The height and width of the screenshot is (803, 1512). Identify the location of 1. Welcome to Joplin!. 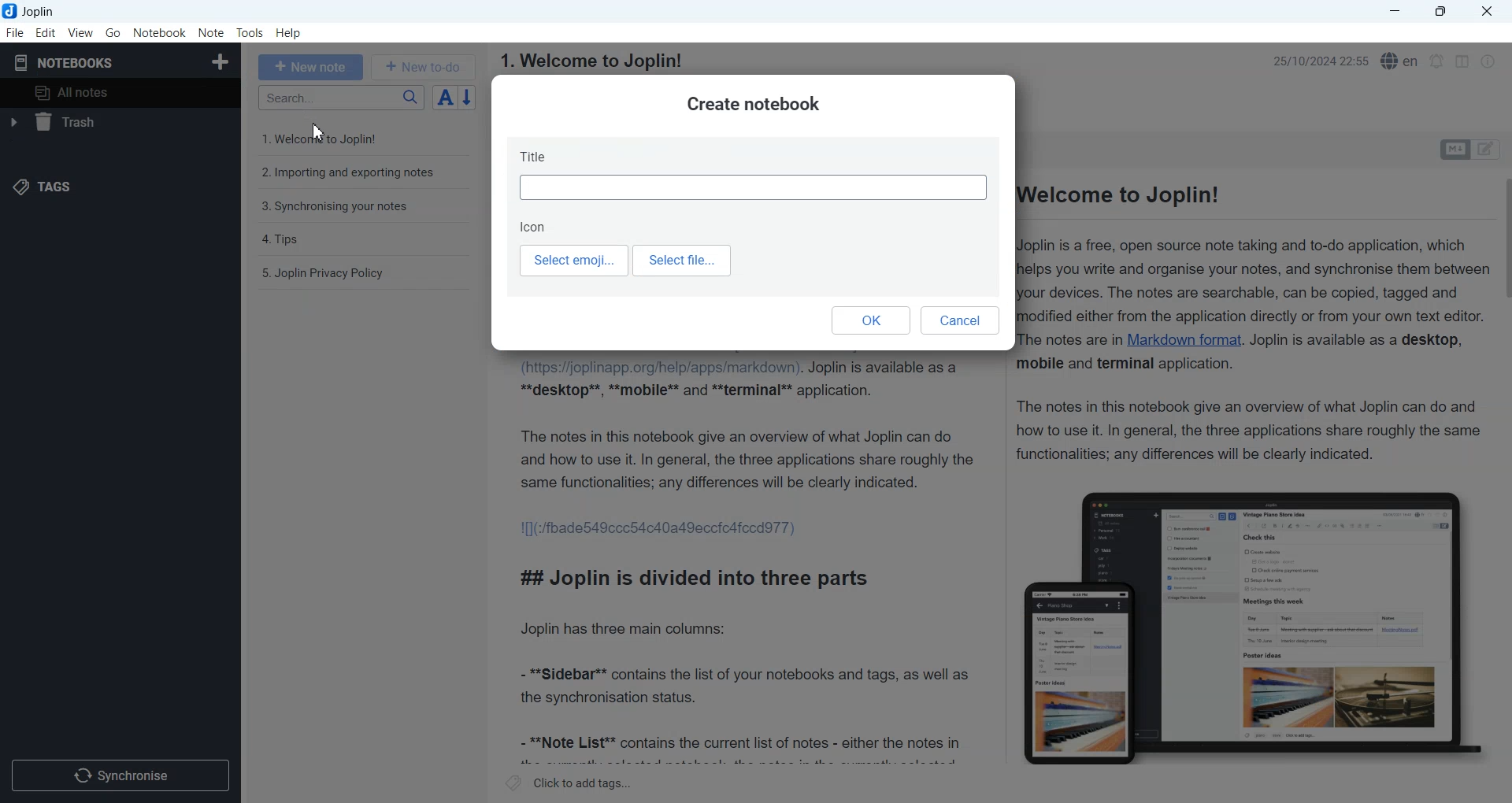
(332, 138).